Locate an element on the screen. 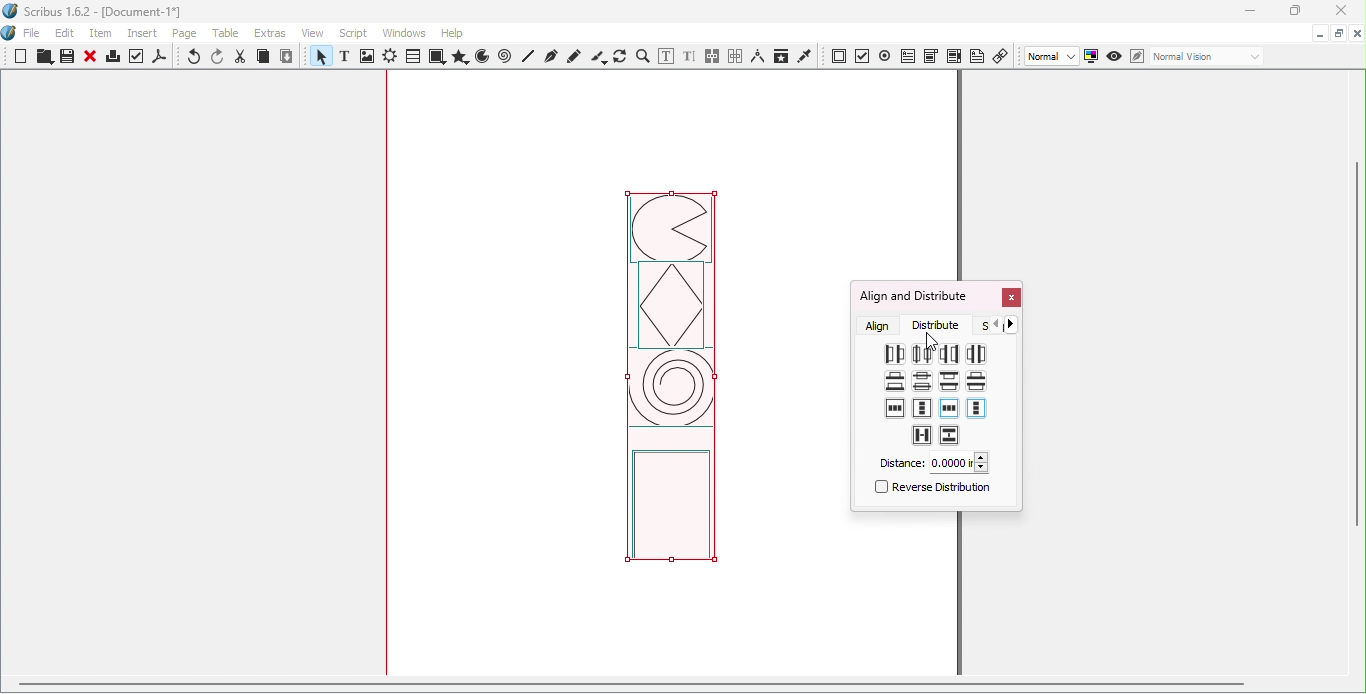  Make horizontal gaps between items equal to the values specified is located at coordinates (921, 435).